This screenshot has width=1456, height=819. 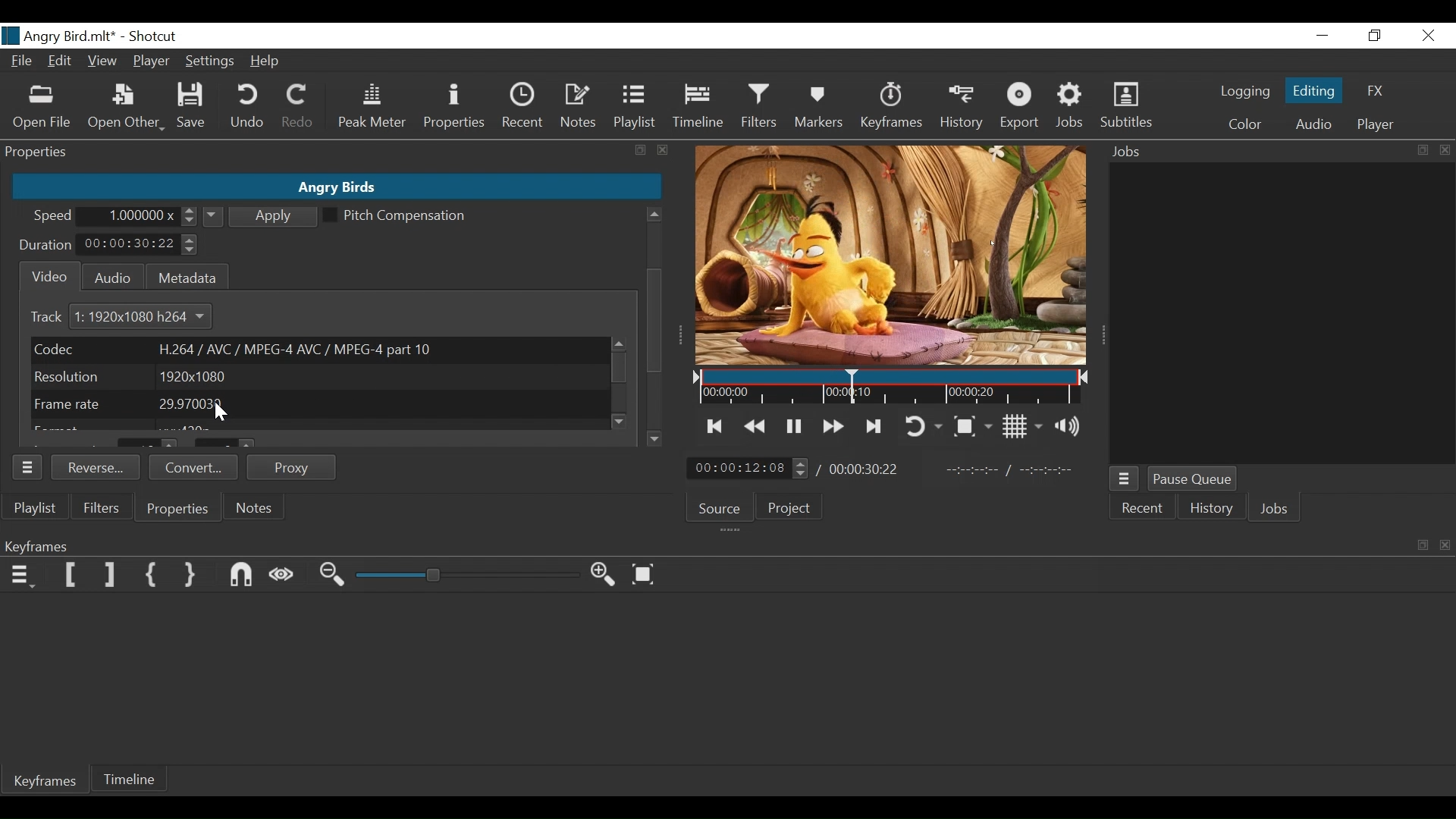 What do you see at coordinates (831, 425) in the screenshot?
I see `Play forward quickly` at bounding box center [831, 425].